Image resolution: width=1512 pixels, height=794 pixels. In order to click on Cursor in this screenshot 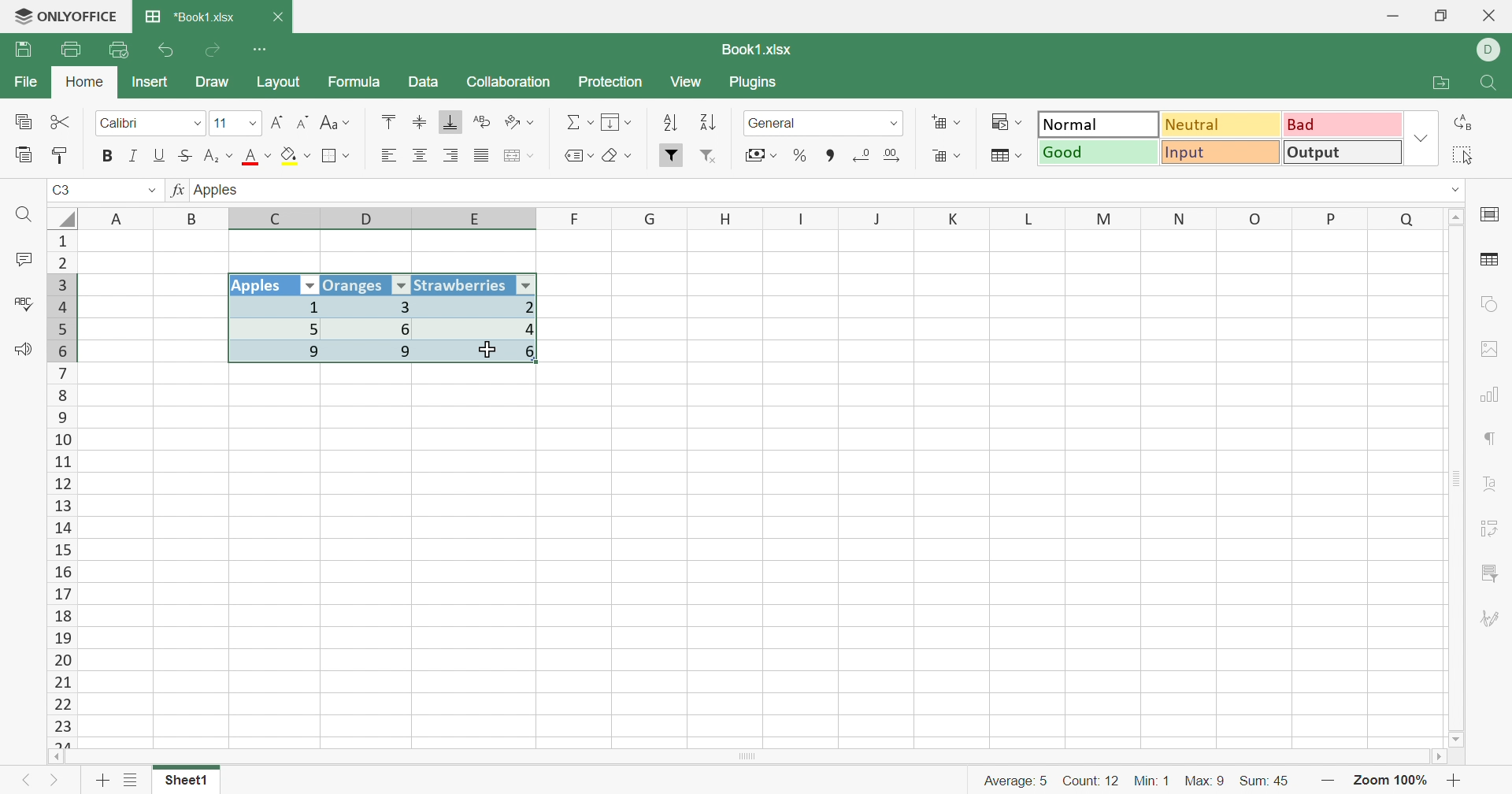, I will do `click(488, 348)`.